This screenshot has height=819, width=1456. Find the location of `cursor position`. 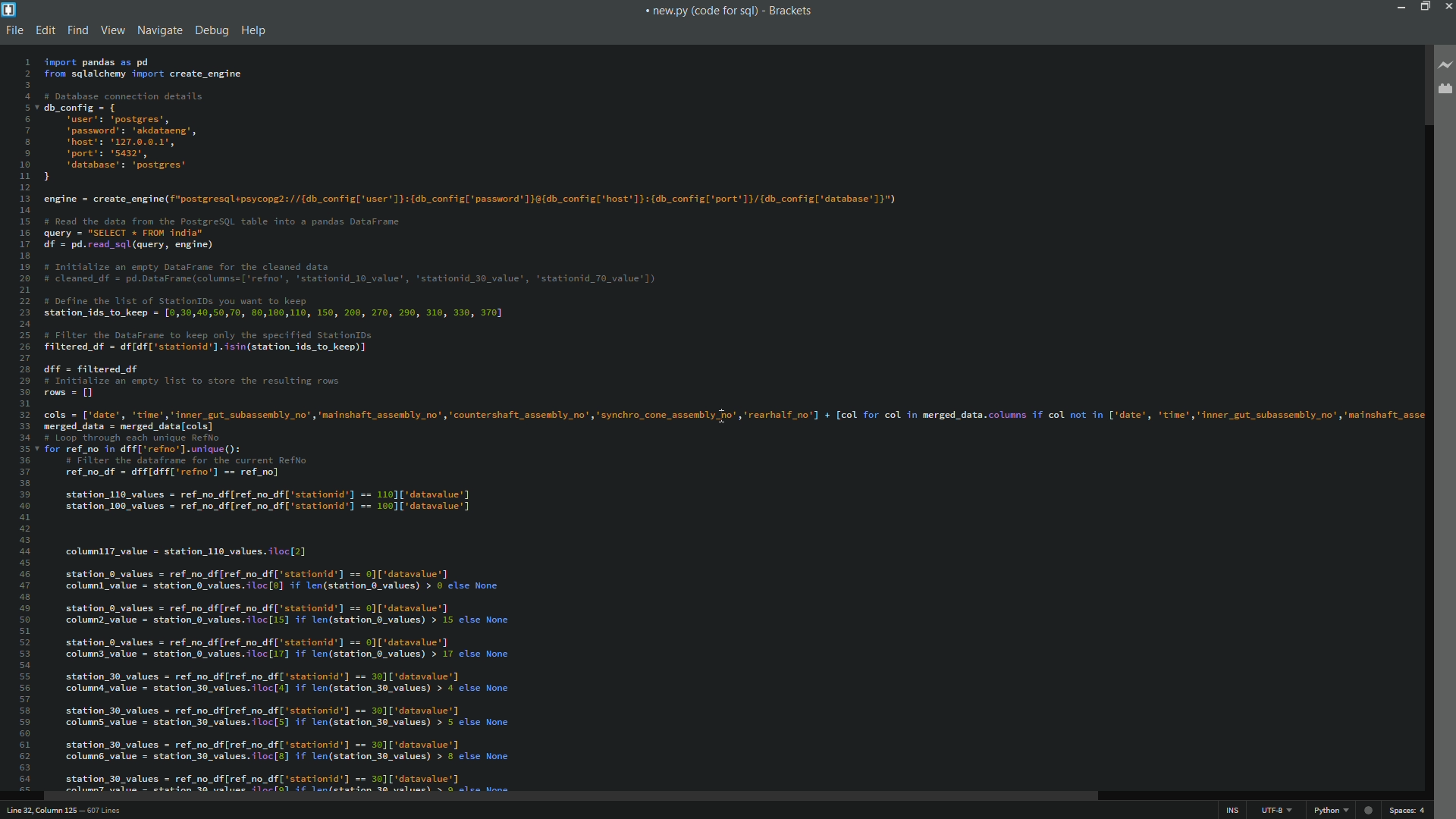

cursor position is located at coordinates (43, 811).